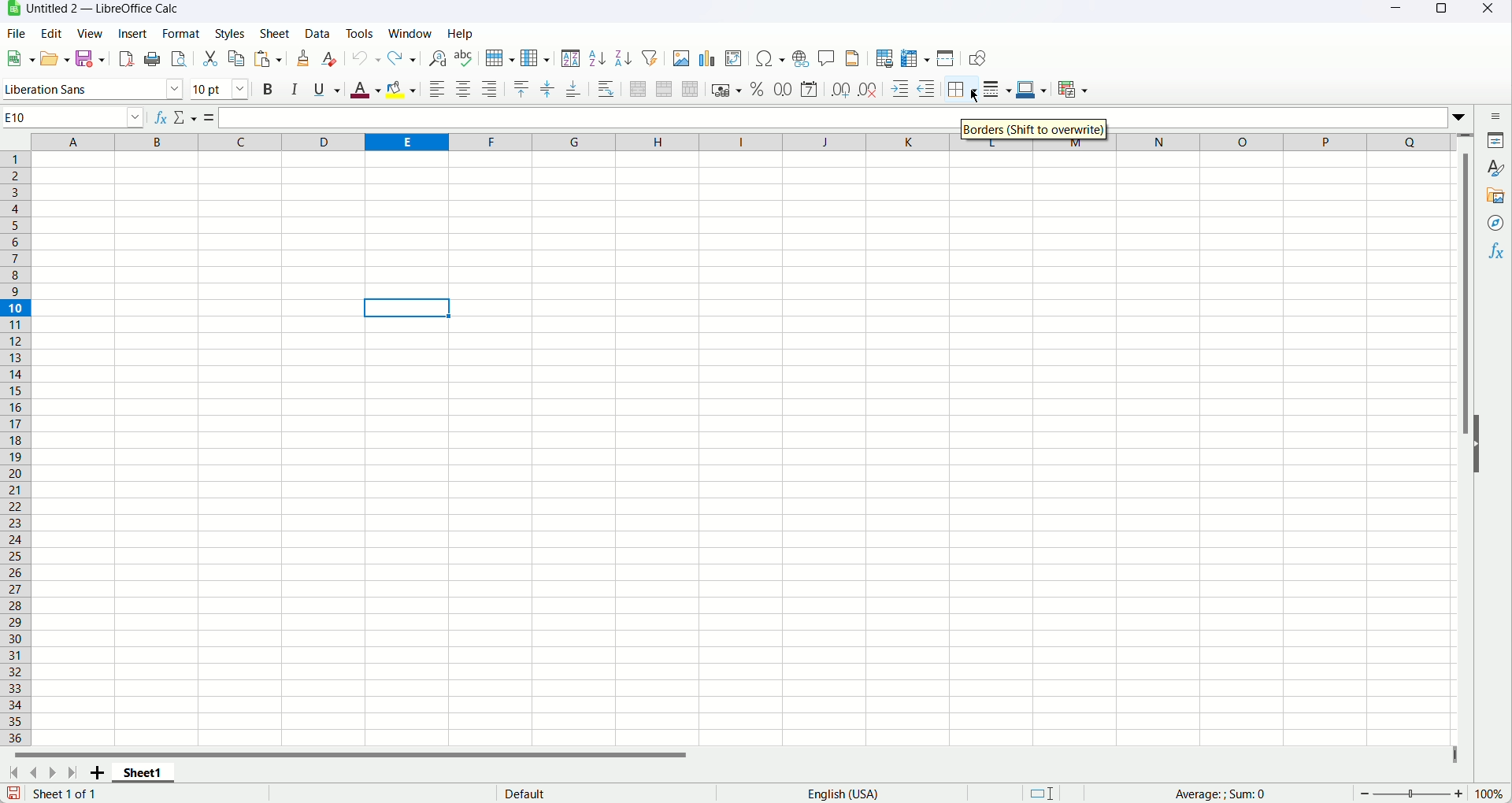 The width and height of the screenshot is (1512, 803). Describe the element at coordinates (648, 57) in the screenshot. I see `Autofilter` at that location.